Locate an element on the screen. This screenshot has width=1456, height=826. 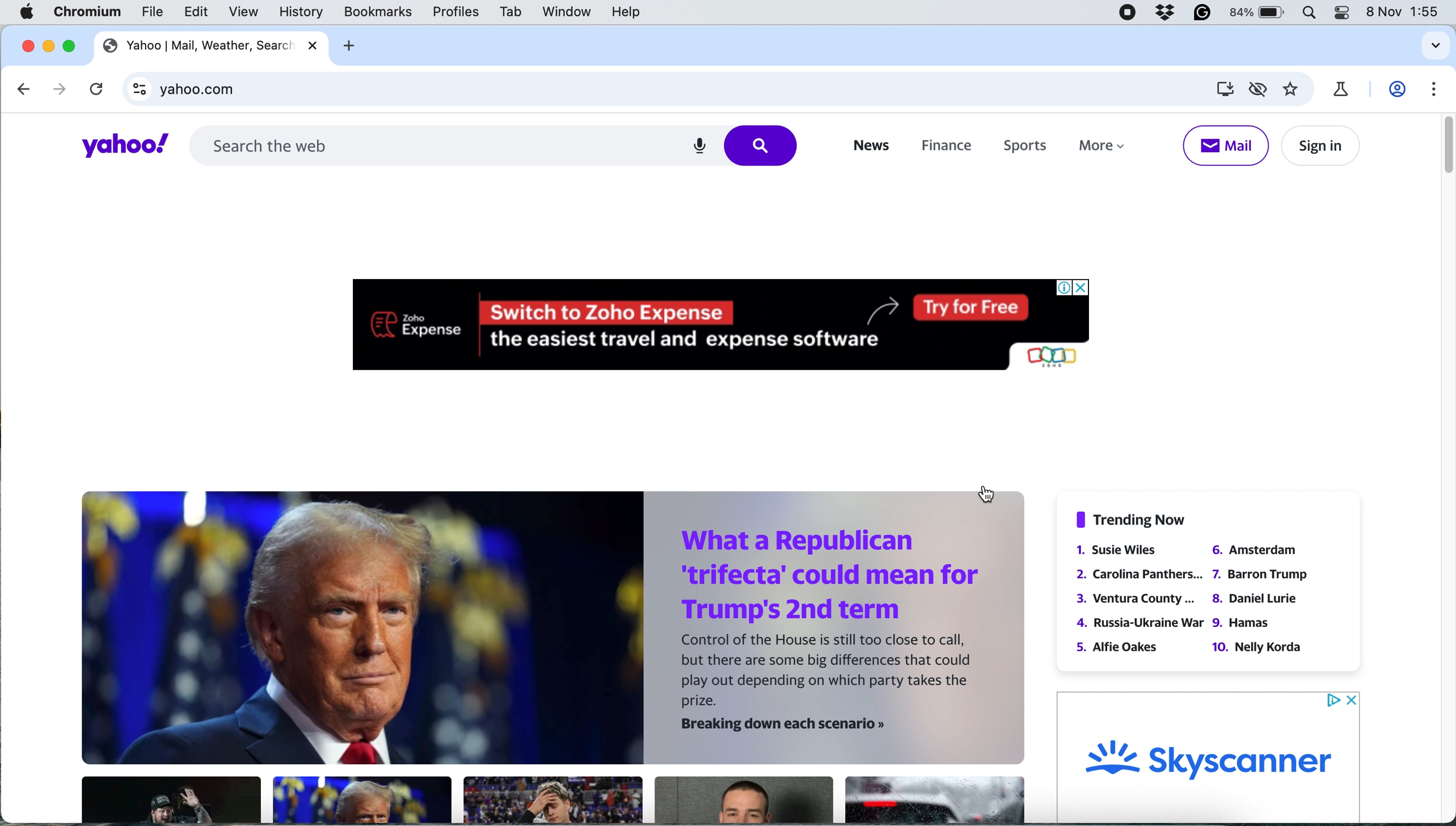
Caroline is located at coordinates (1142, 572).